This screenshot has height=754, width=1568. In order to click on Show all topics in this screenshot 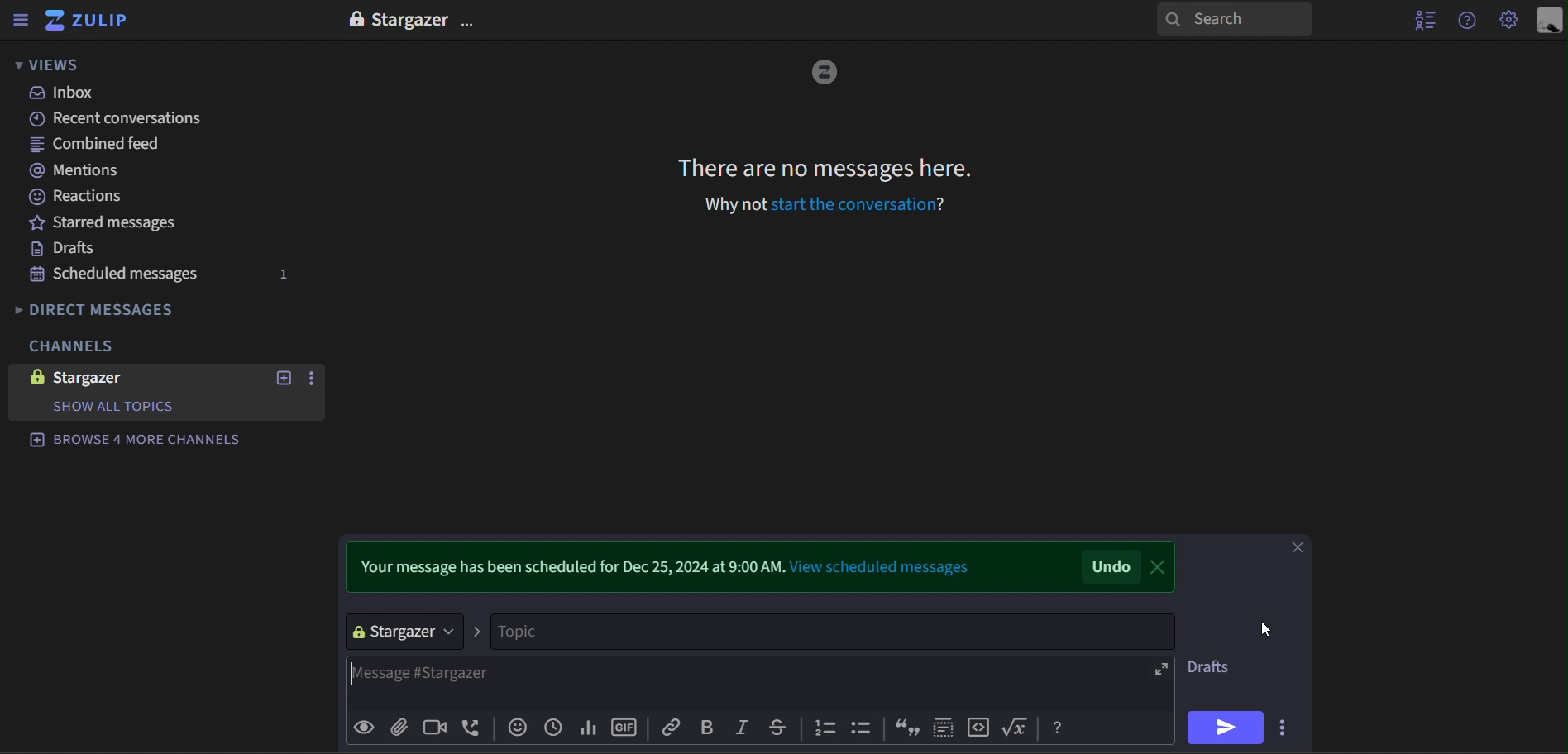, I will do `click(122, 407)`.